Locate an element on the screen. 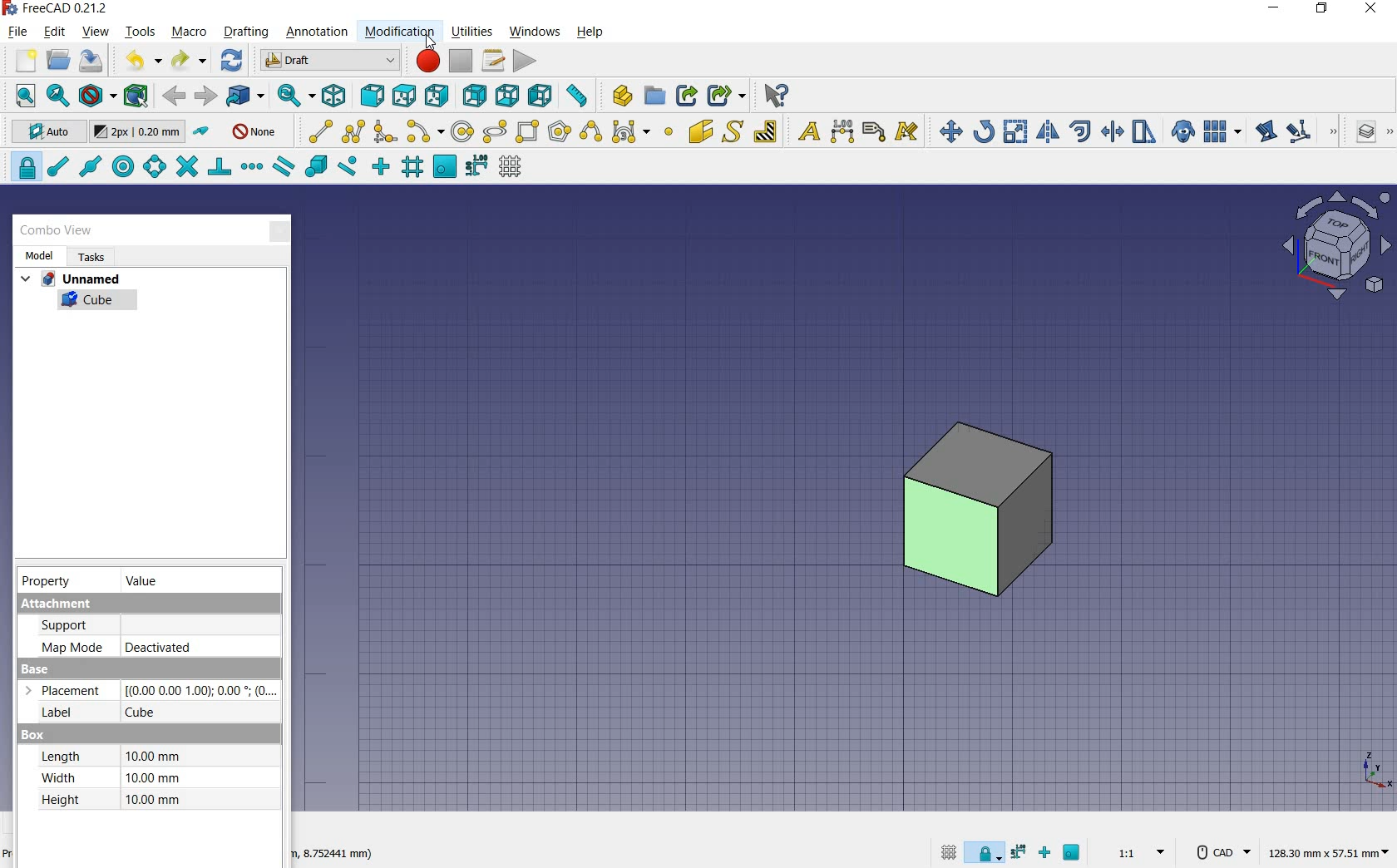 Image resolution: width=1397 pixels, height=868 pixels. snap working plane is located at coordinates (1073, 853).